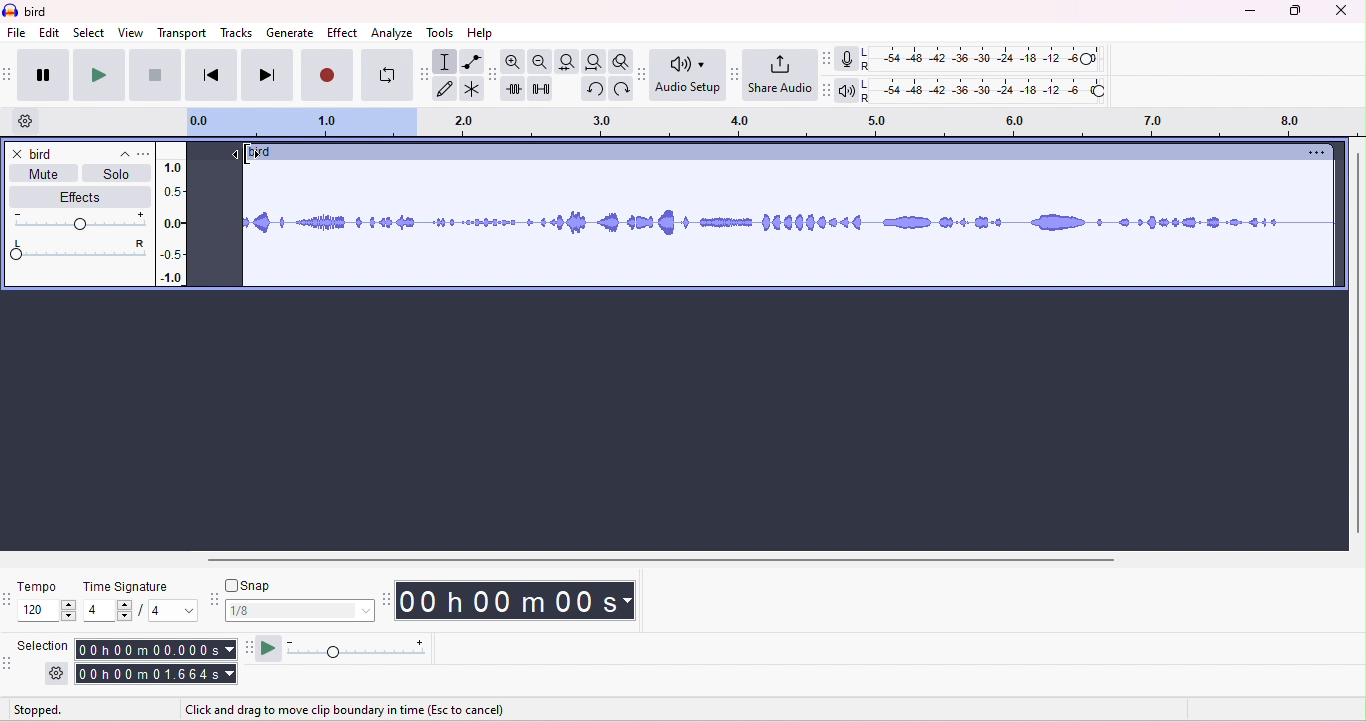 Image resolution: width=1366 pixels, height=722 pixels. I want to click on undo, so click(592, 91).